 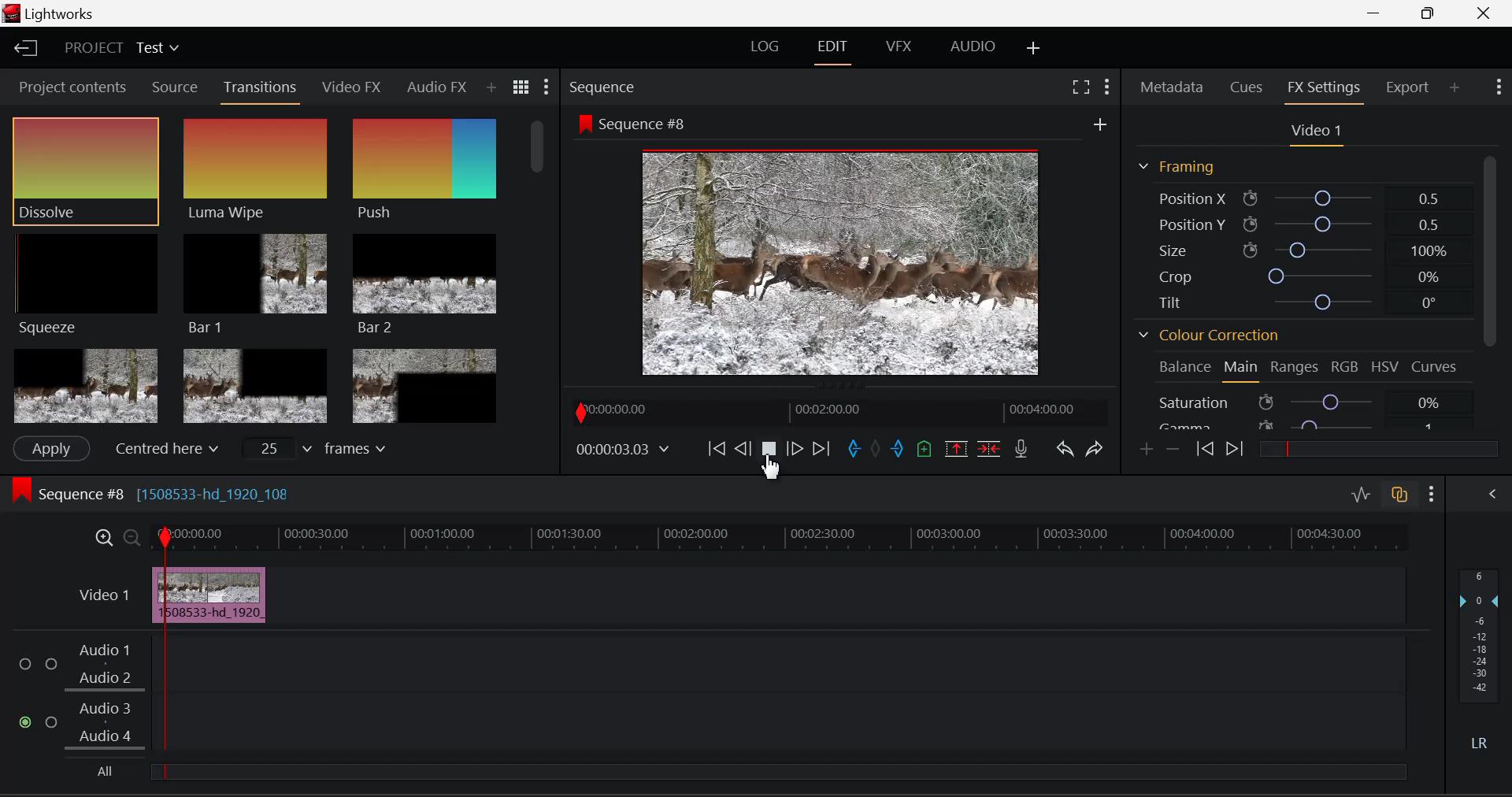 What do you see at coordinates (1327, 89) in the screenshot?
I see `FX Settings Open` at bounding box center [1327, 89].